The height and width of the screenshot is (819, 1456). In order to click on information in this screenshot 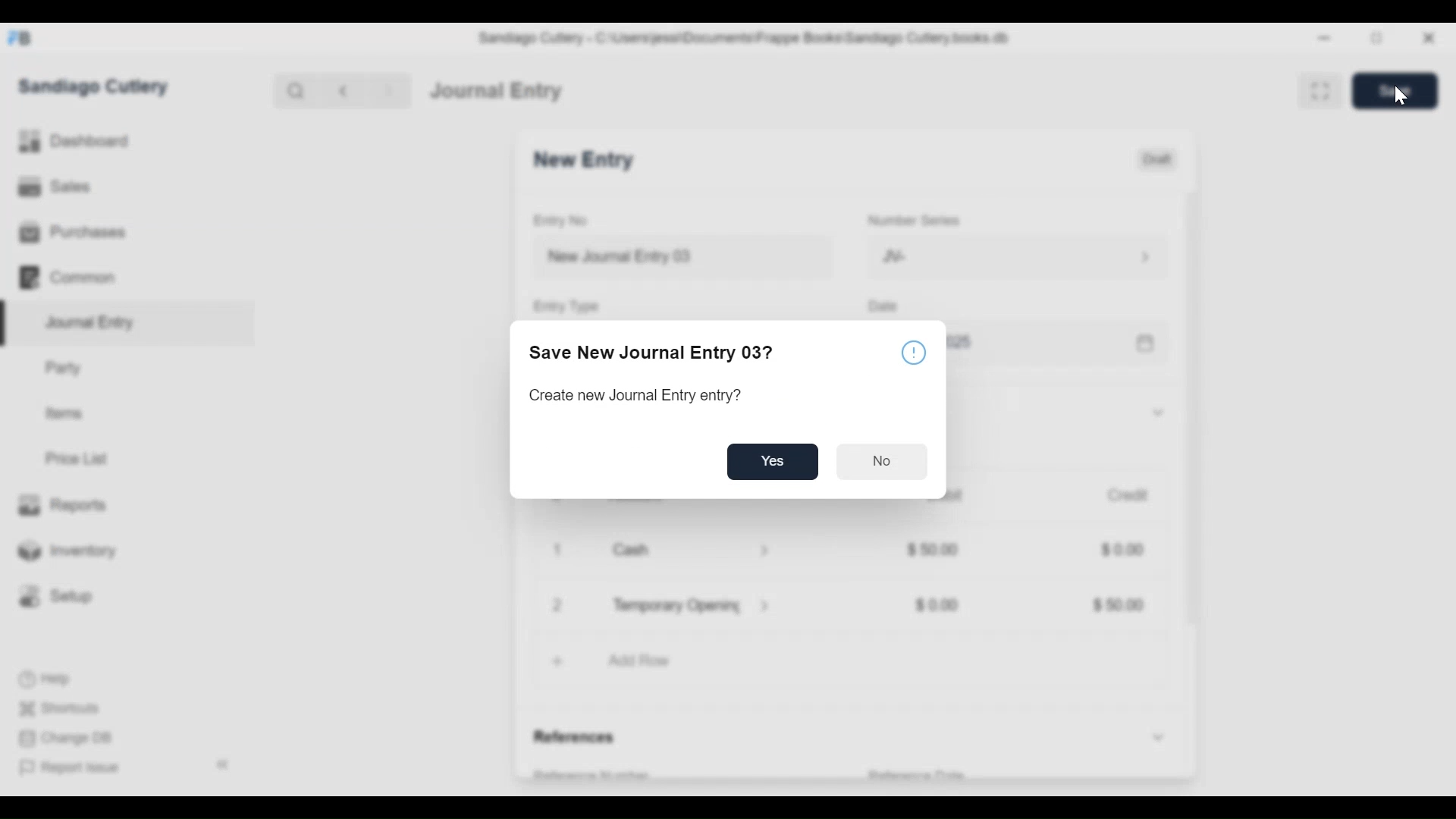, I will do `click(913, 351)`.